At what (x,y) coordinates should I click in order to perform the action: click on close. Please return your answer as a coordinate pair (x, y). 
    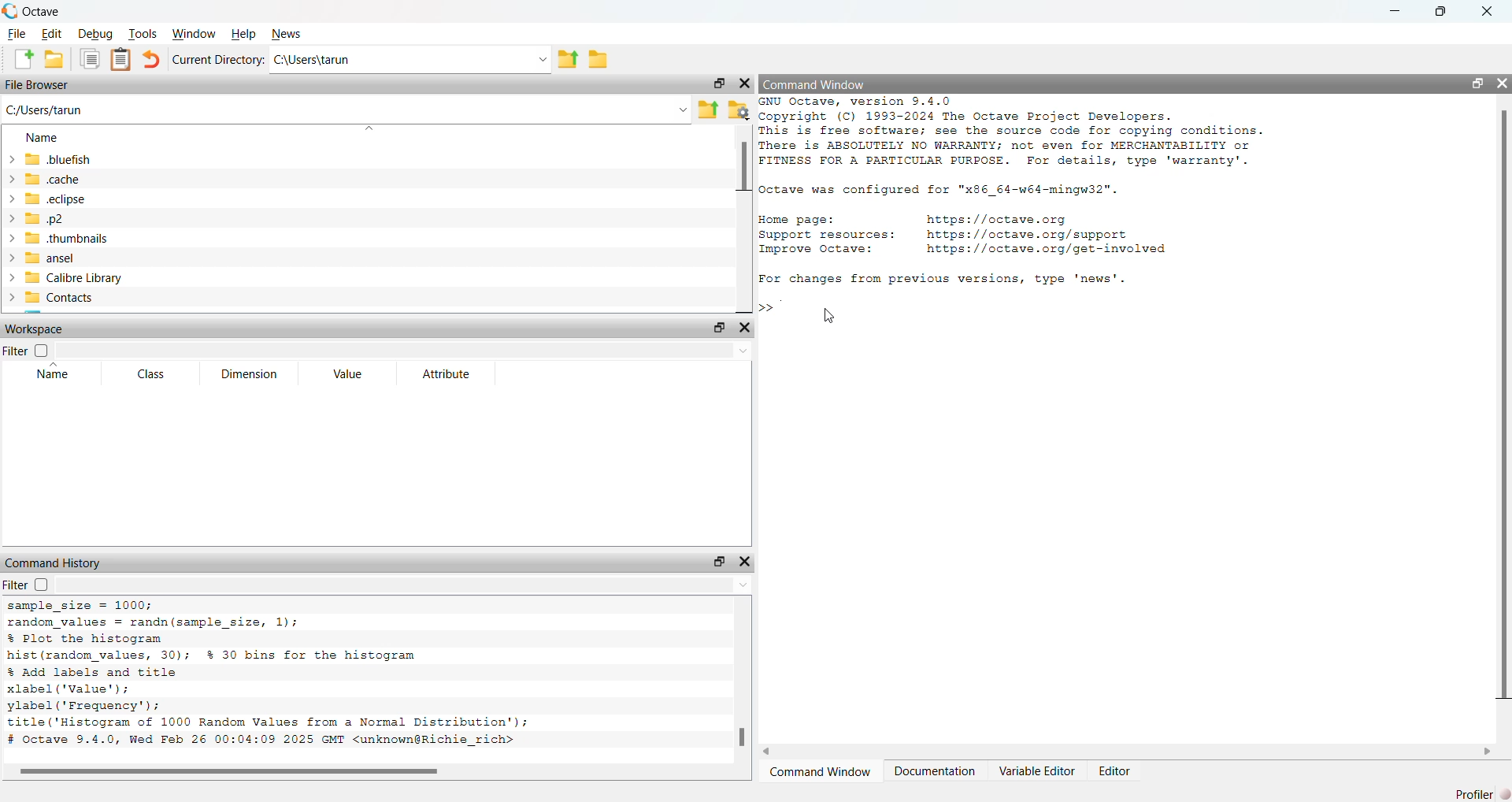
    Looking at the image, I should click on (1503, 84).